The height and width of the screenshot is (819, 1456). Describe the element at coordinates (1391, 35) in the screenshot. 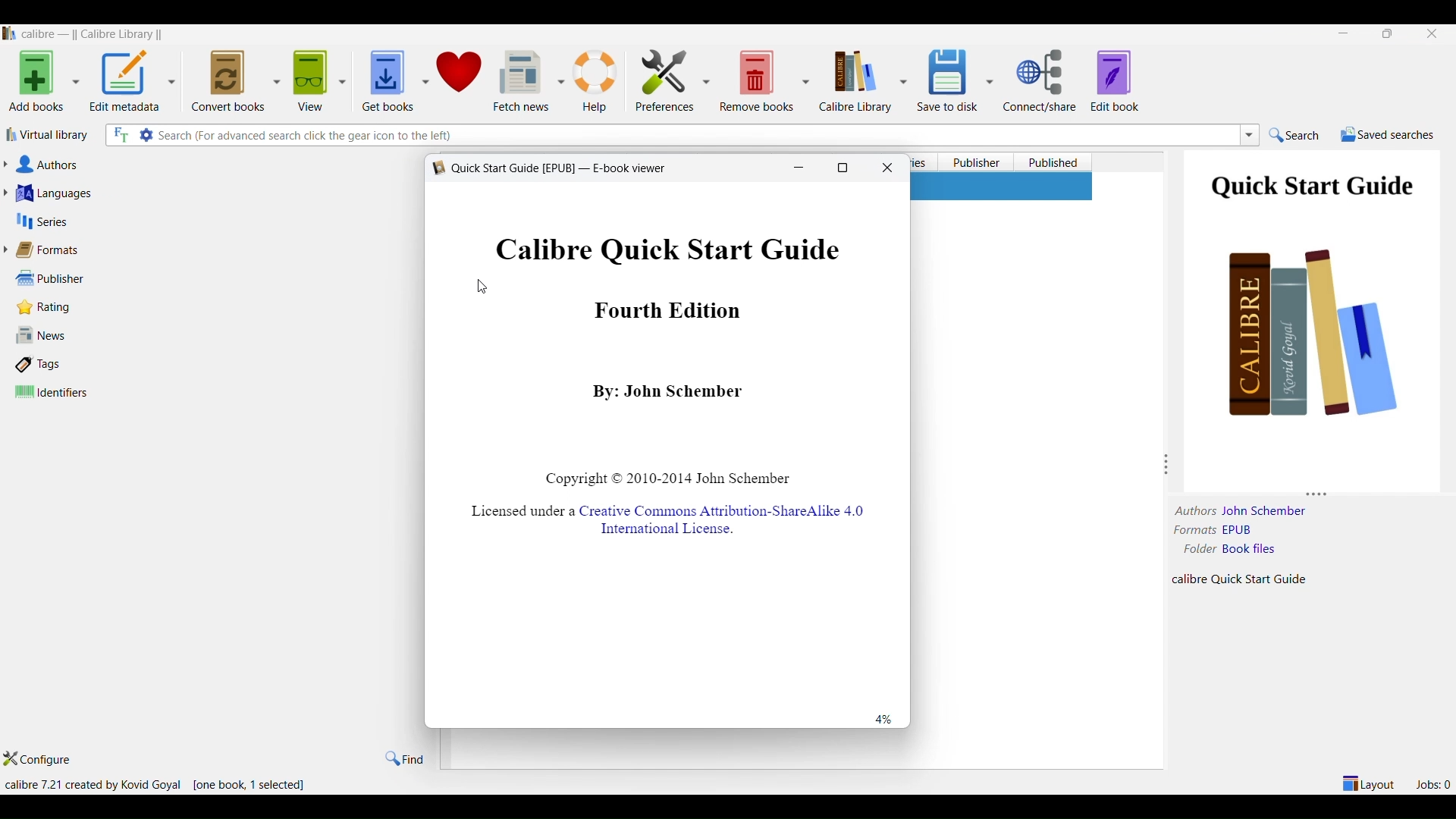

I see `maximize` at that location.